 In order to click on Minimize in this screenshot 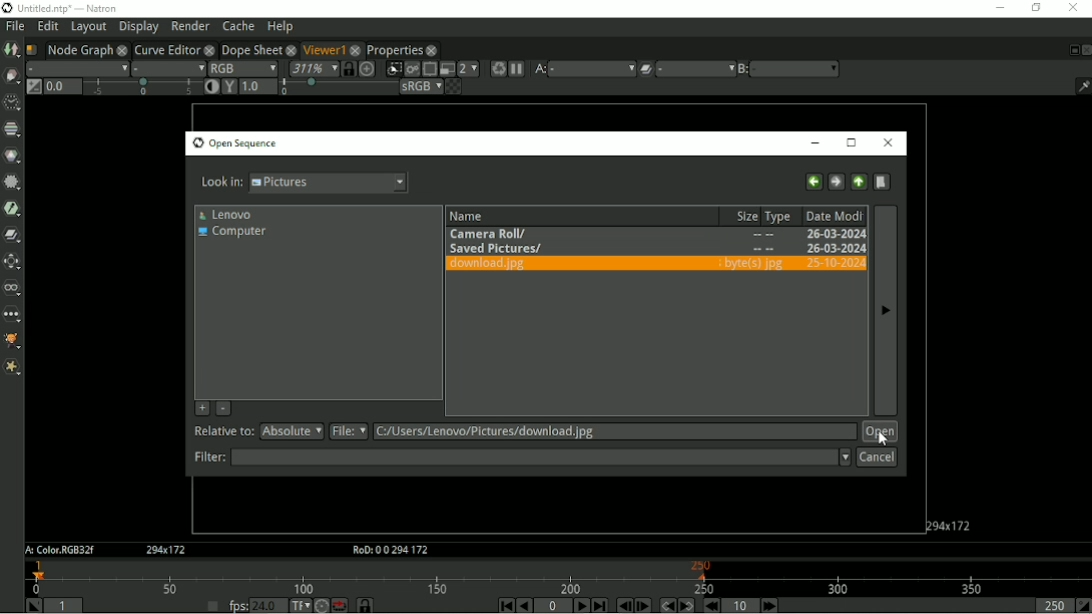, I will do `click(814, 142)`.